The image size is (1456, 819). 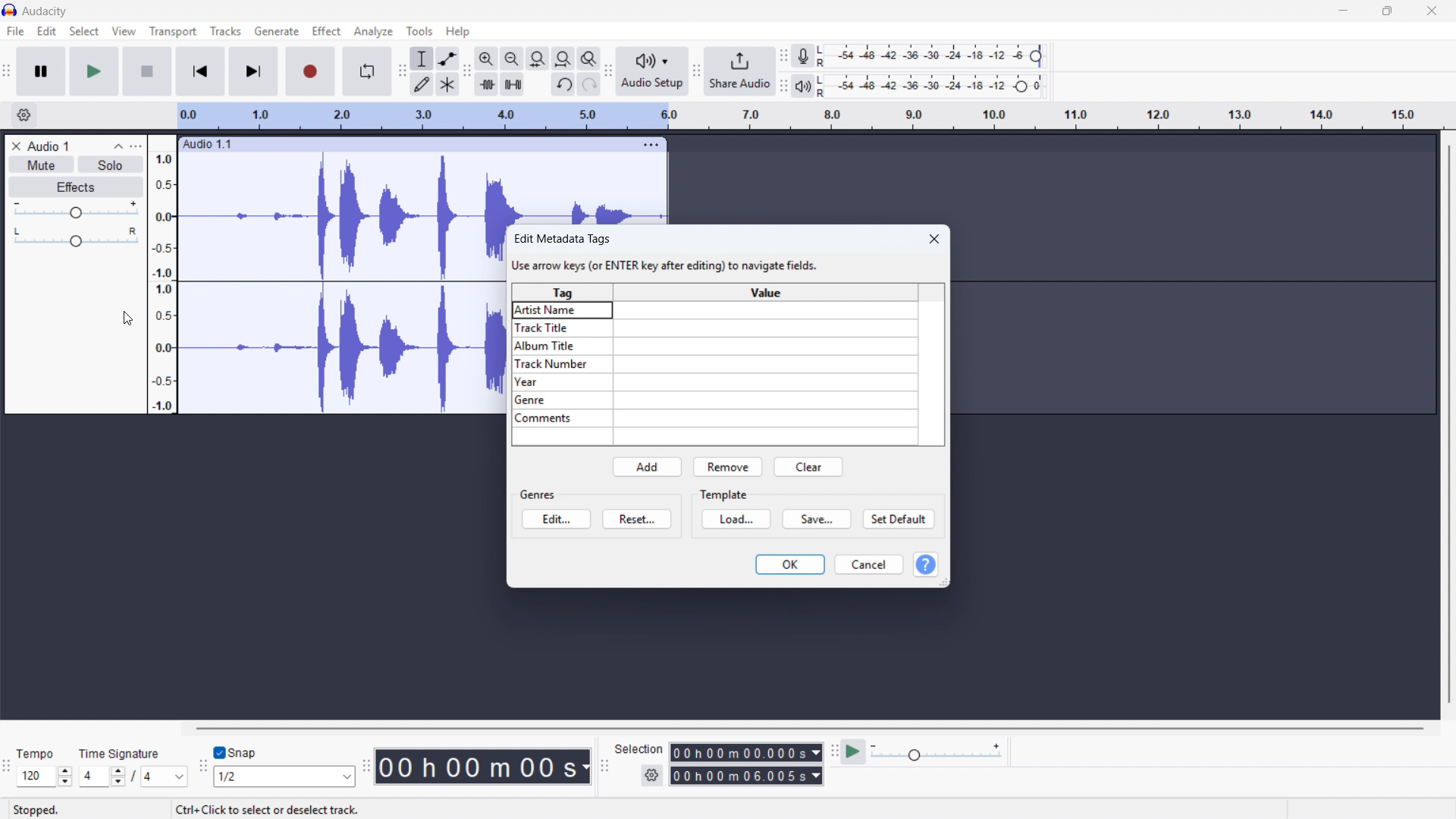 What do you see at coordinates (11, 10) in the screenshot?
I see `logo` at bounding box center [11, 10].